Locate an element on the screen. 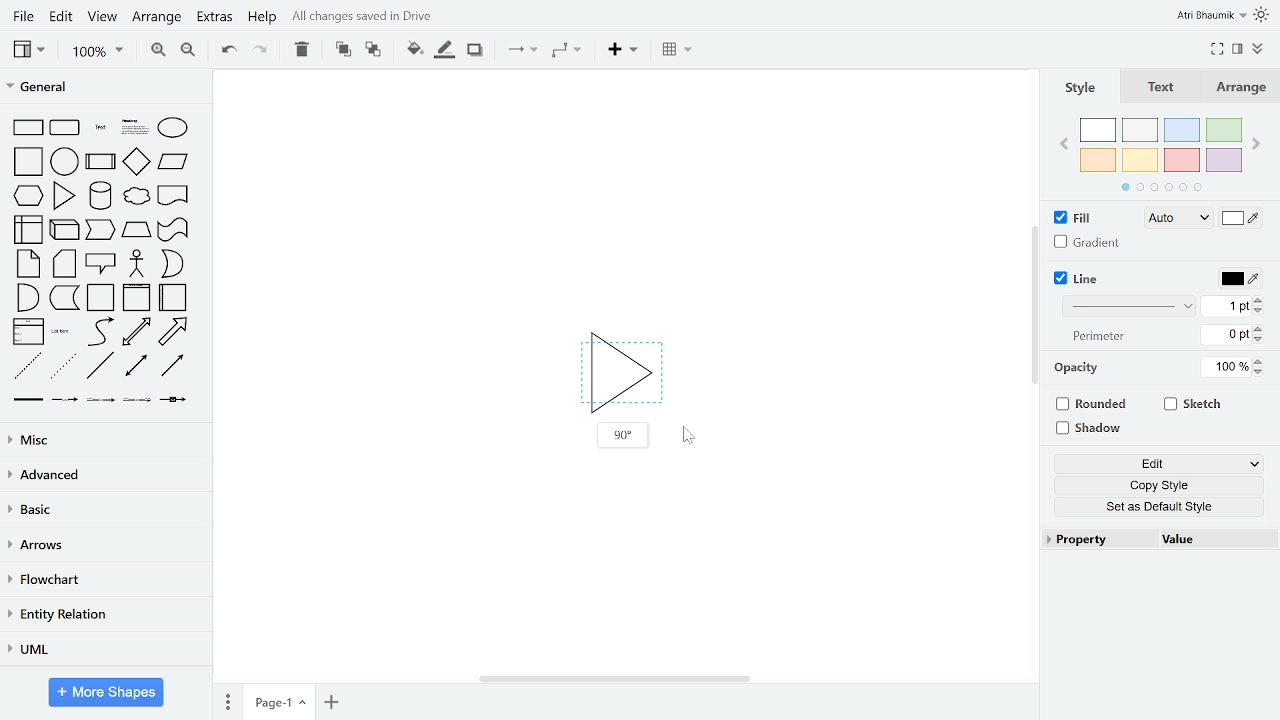 The image size is (1280, 720). cloud is located at coordinates (136, 196).